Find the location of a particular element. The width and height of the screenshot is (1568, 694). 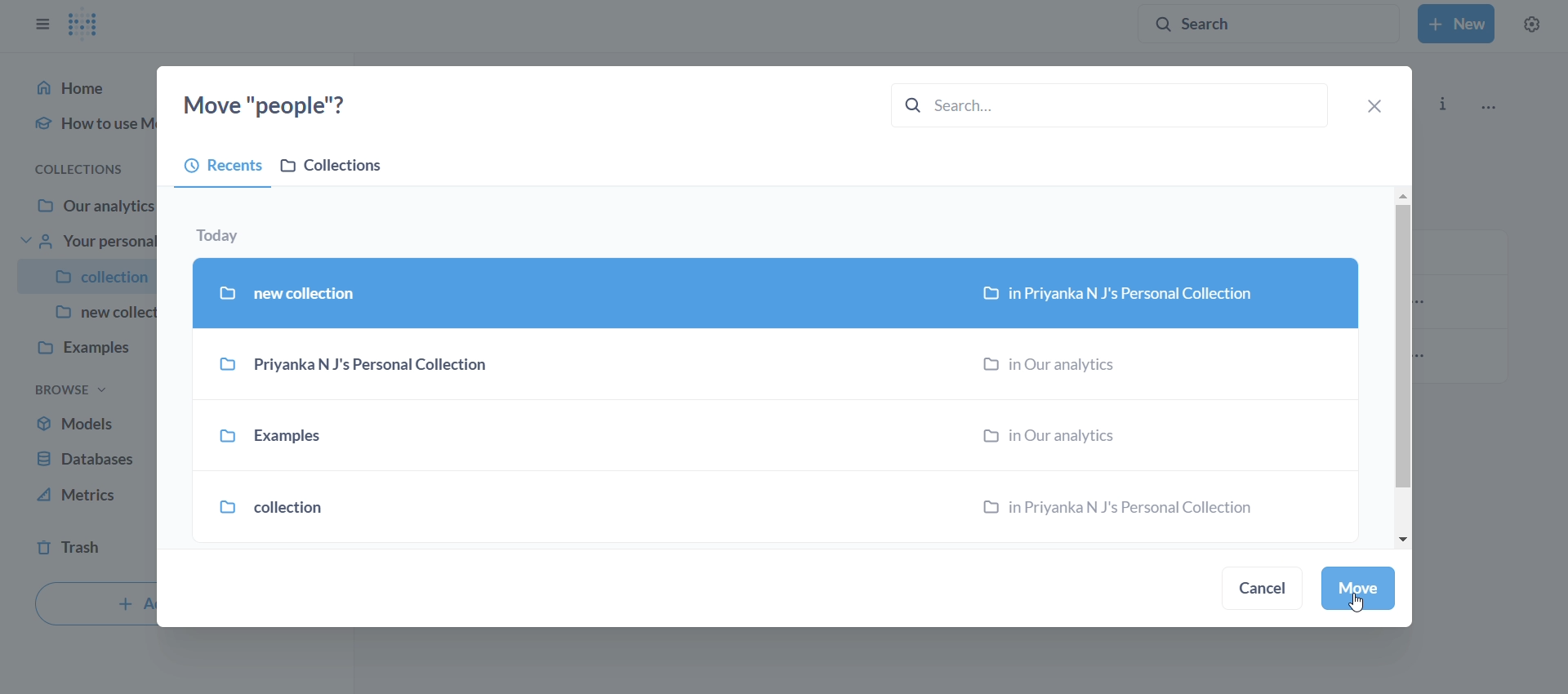

Cursor is located at coordinates (1360, 606).